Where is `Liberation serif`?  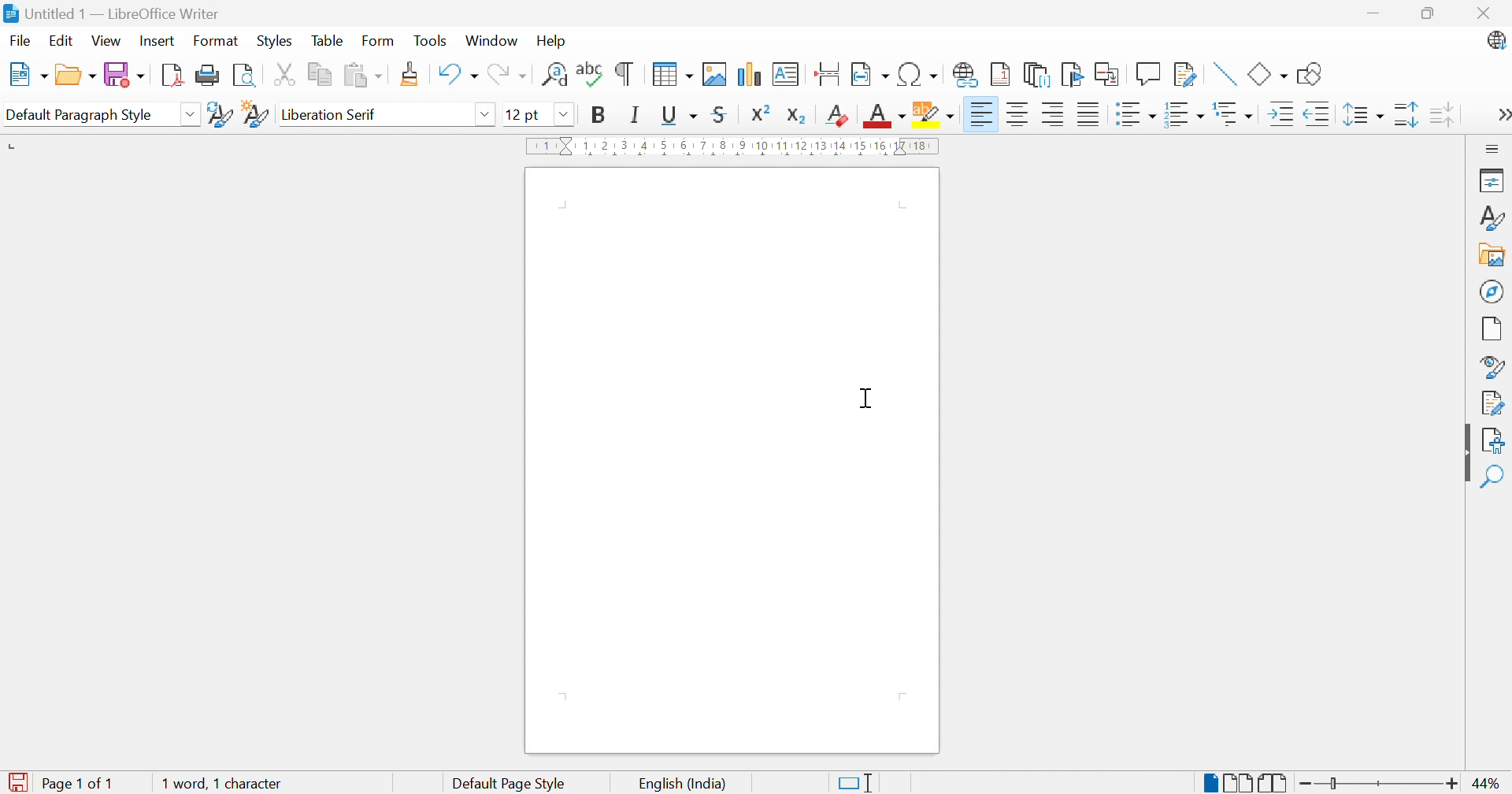 Liberation serif is located at coordinates (329, 113).